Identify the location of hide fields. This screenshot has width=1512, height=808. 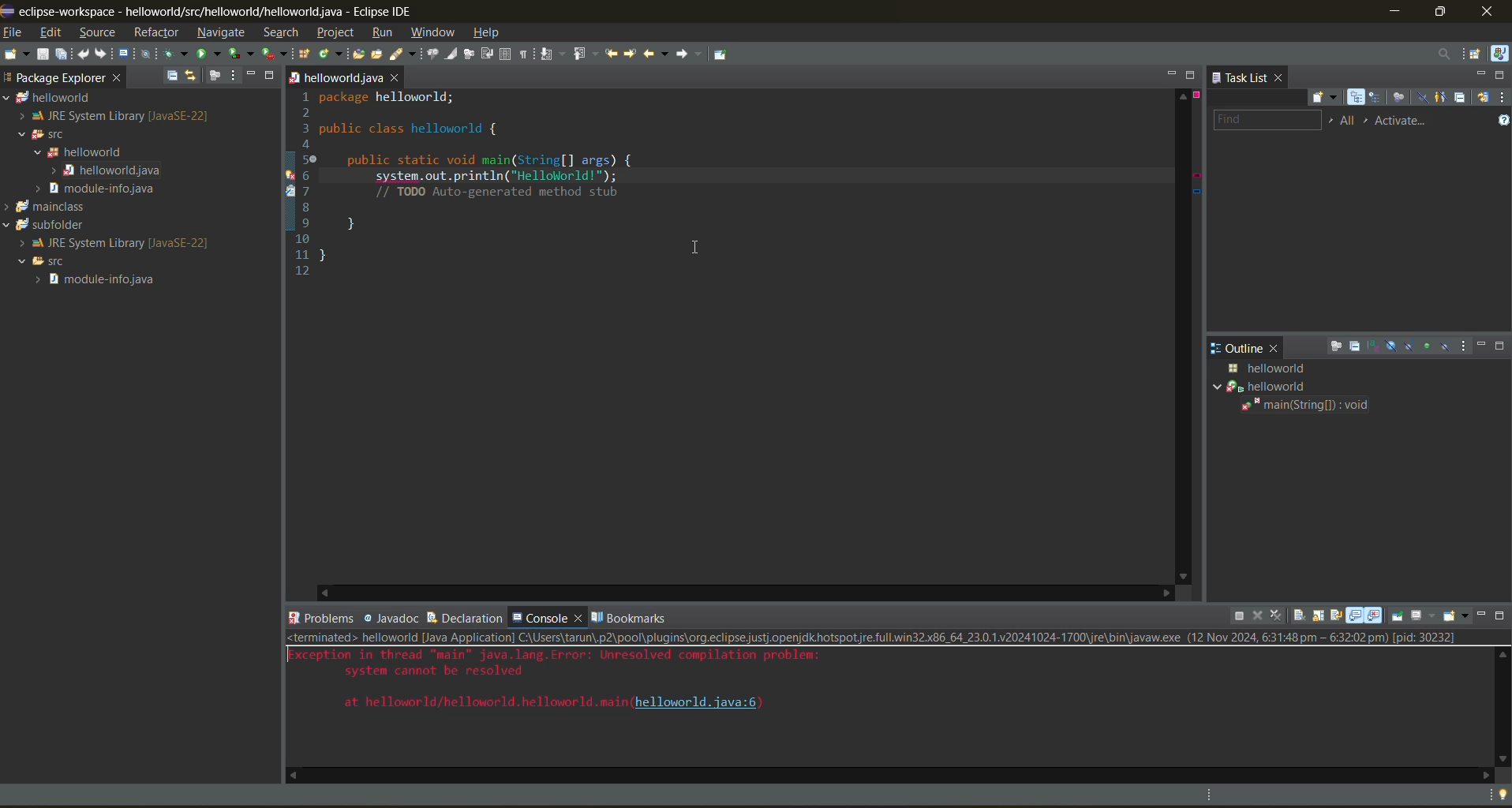
(1396, 347).